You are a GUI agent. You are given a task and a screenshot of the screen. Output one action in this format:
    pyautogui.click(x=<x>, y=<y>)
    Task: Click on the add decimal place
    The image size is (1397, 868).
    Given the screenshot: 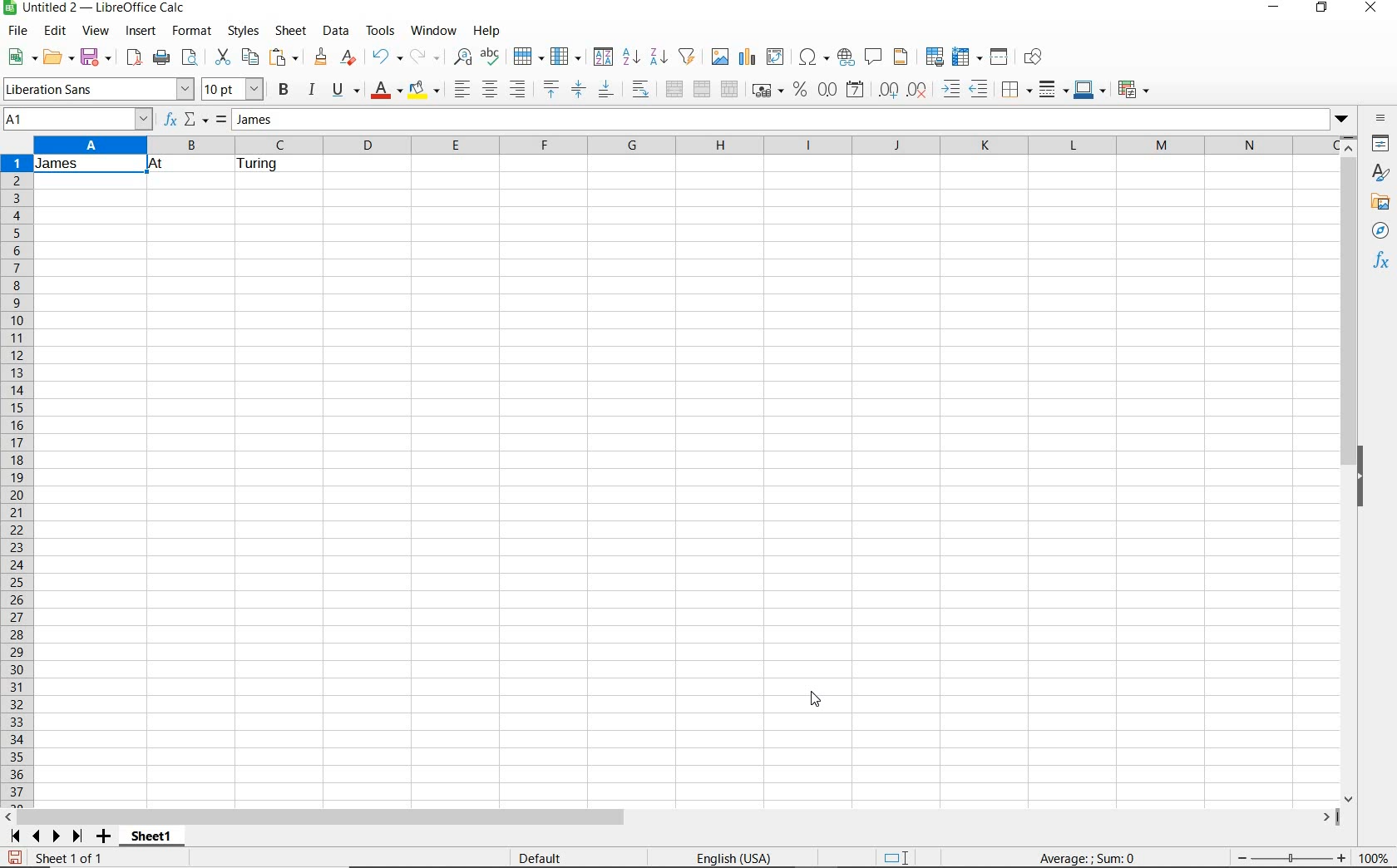 What is the action you would take?
    pyautogui.click(x=892, y=89)
    